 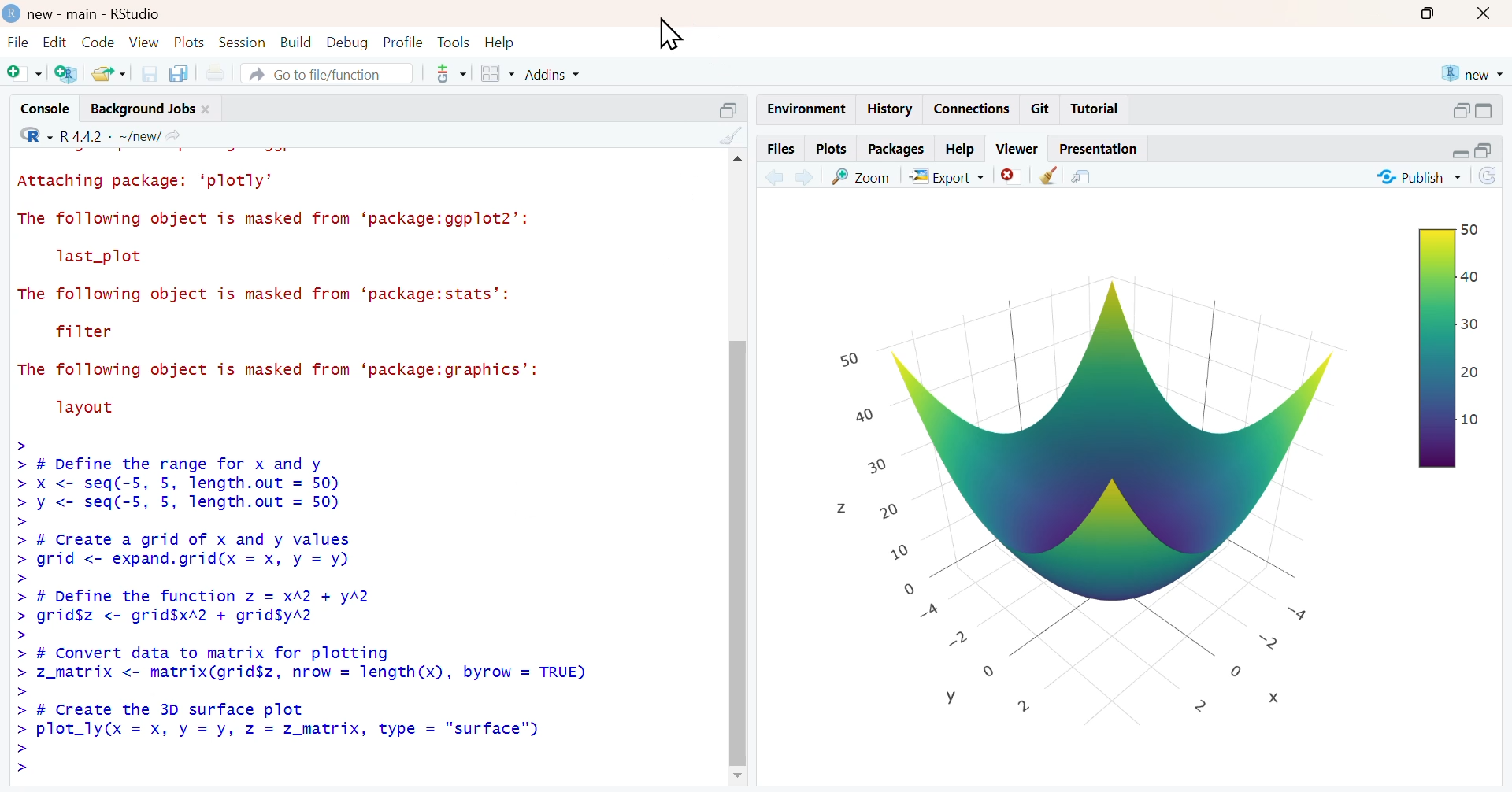 I want to click on maximize, so click(x=1494, y=110).